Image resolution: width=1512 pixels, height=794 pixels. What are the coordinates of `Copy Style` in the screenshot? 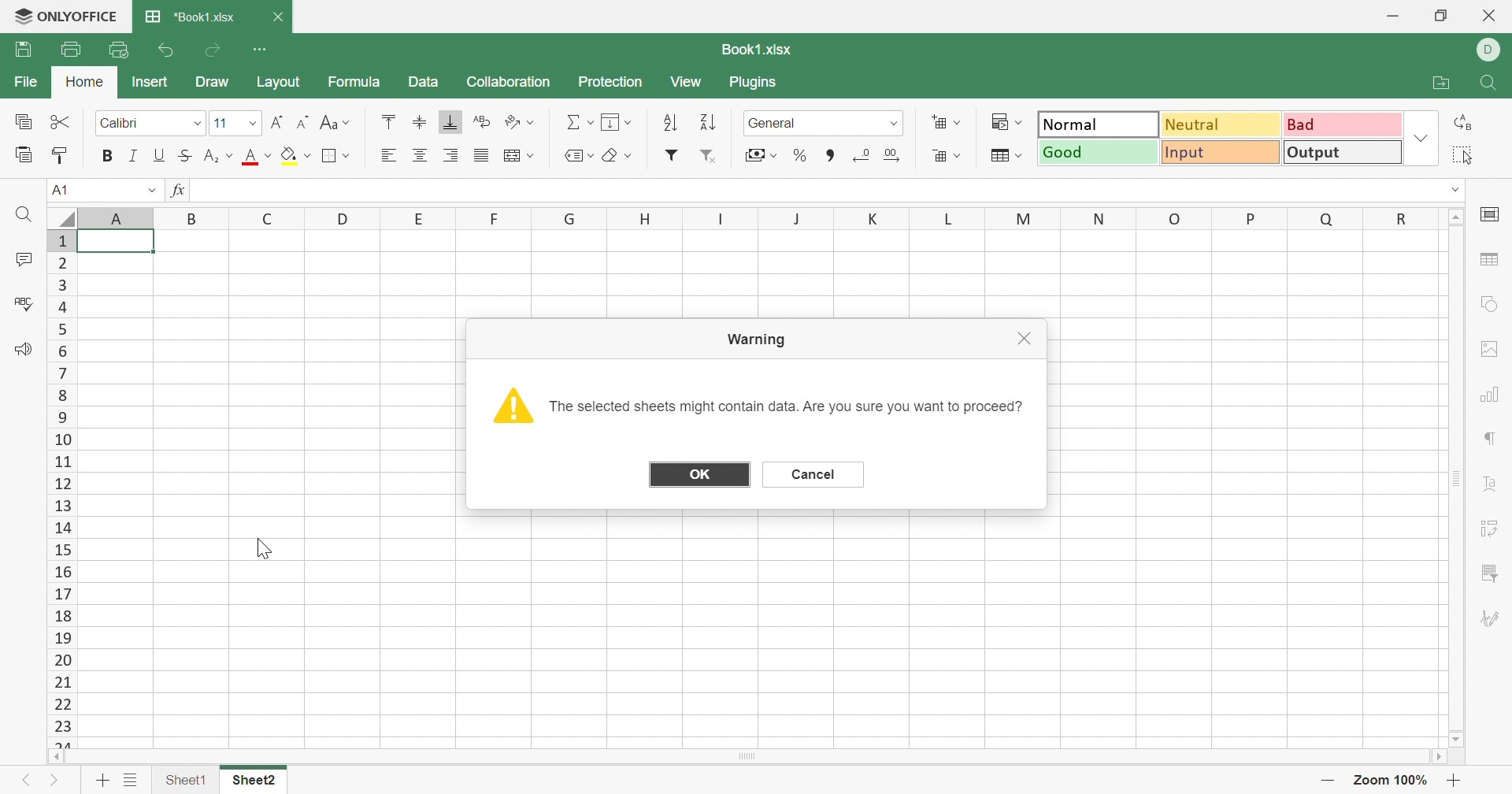 It's located at (61, 153).